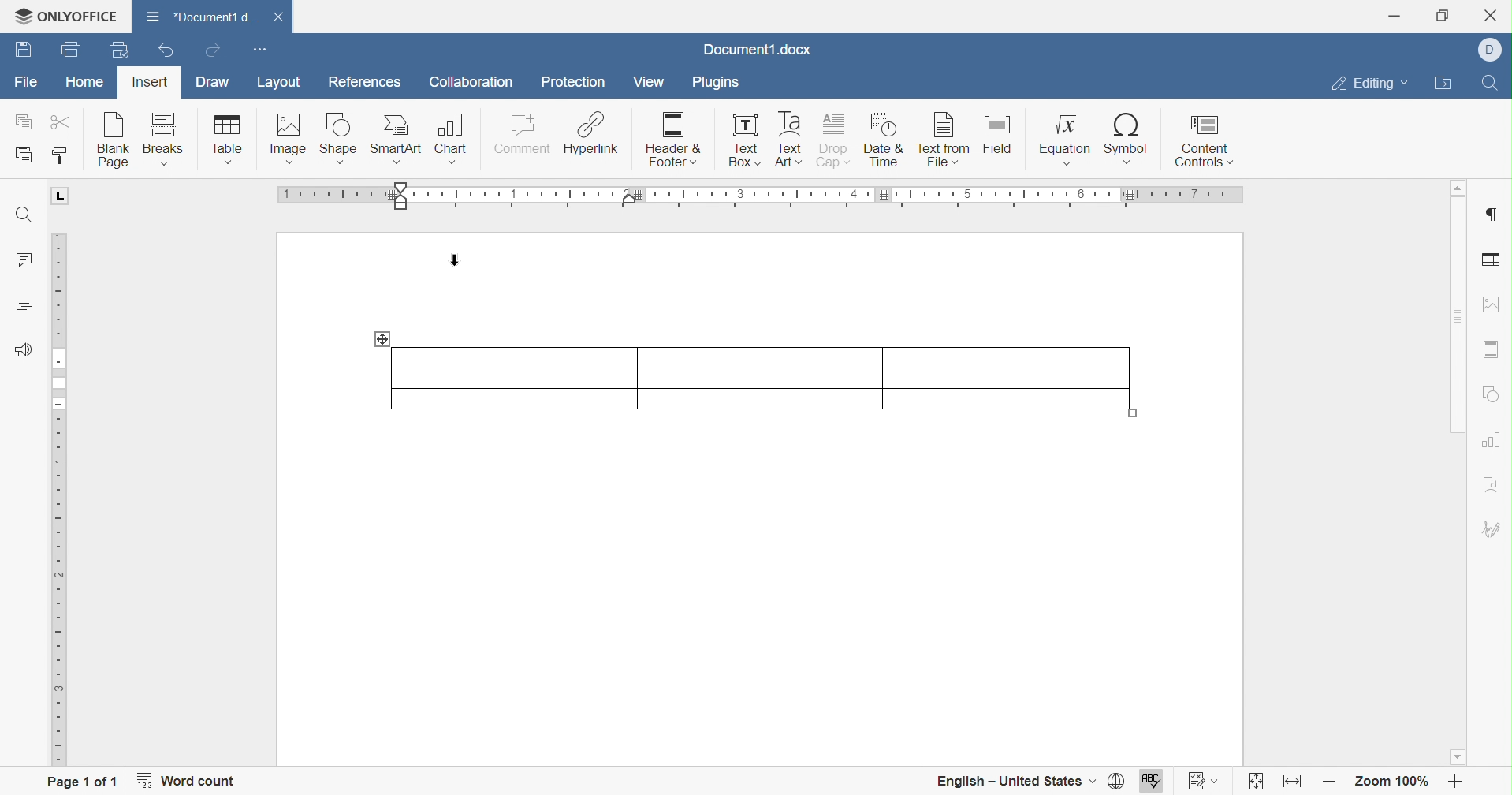  What do you see at coordinates (258, 50) in the screenshot?
I see `Customize Quick Access Toolbar` at bounding box center [258, 50].